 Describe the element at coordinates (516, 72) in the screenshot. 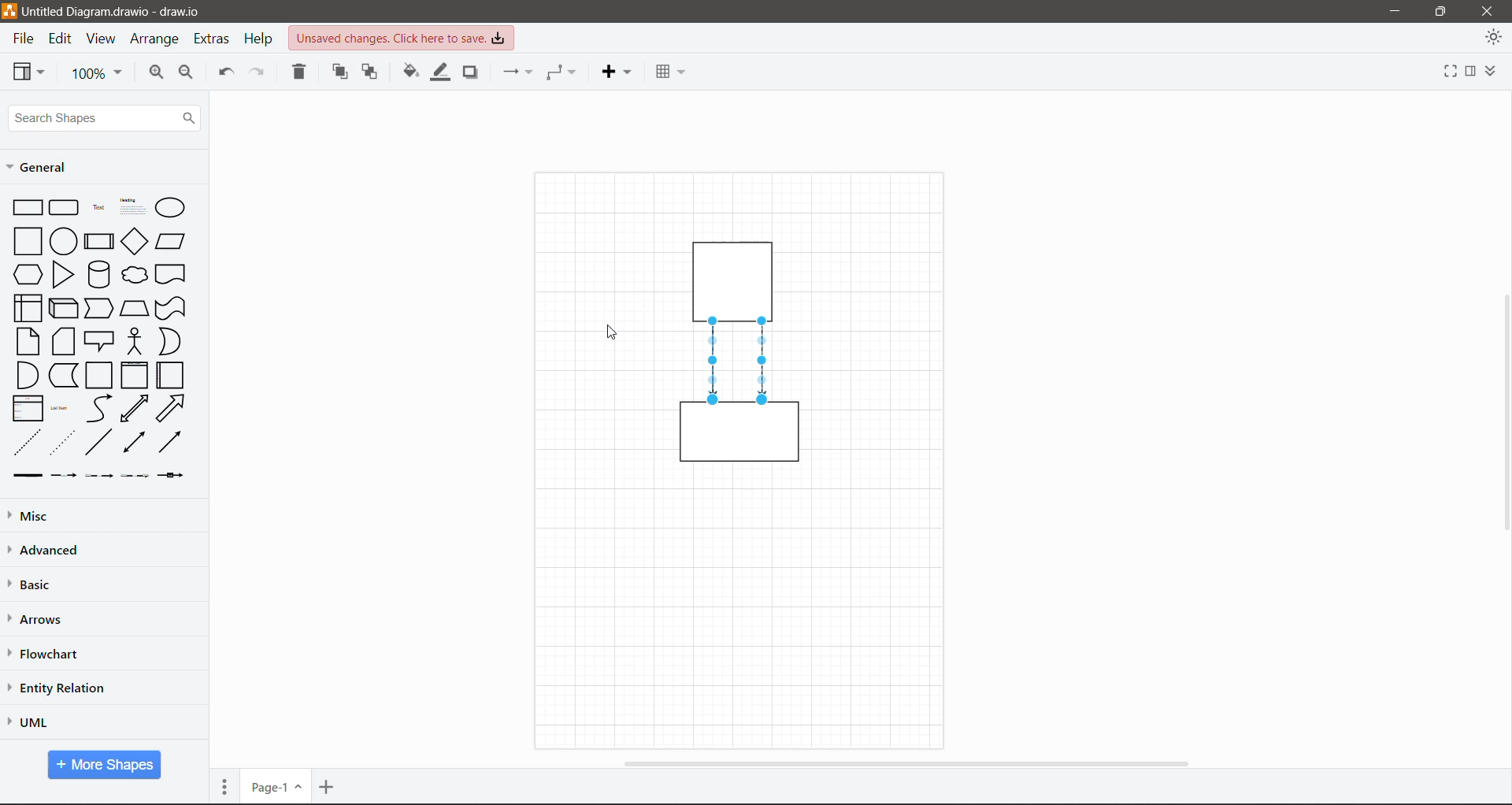

I see `Connection` at that location.